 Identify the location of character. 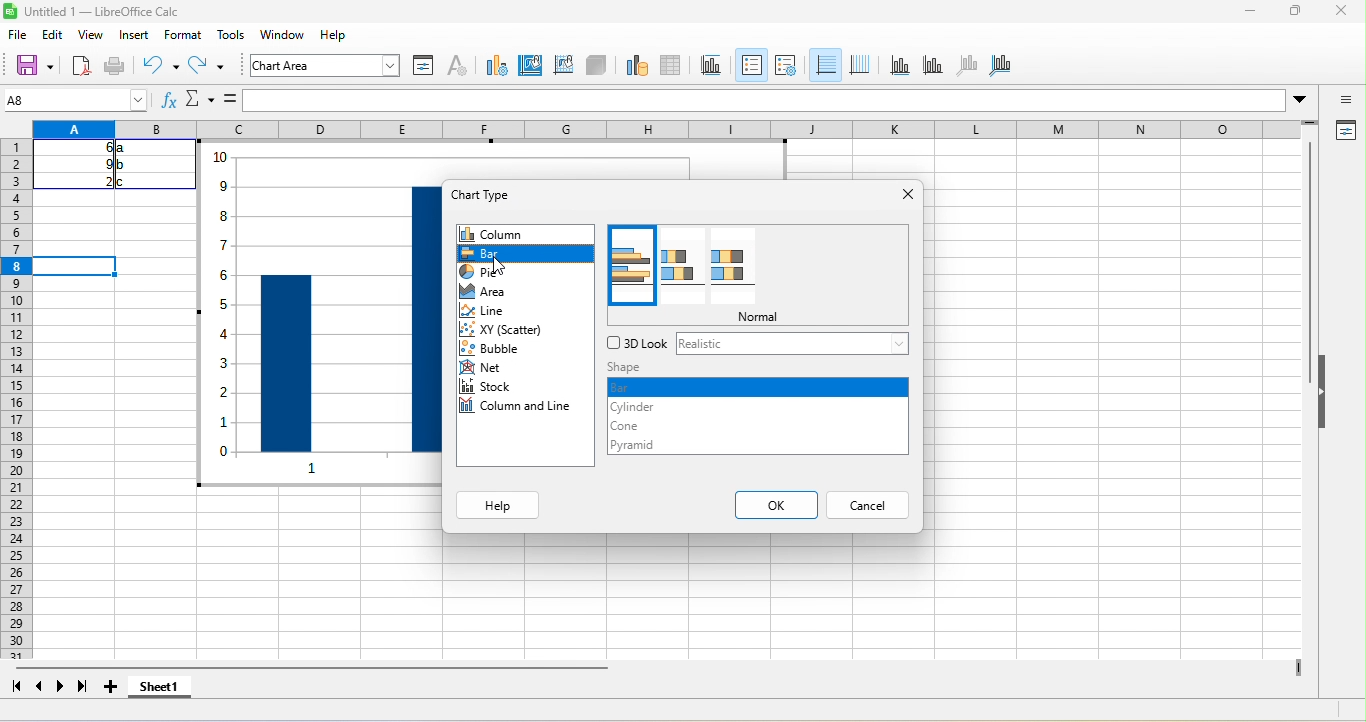
(459, 67).